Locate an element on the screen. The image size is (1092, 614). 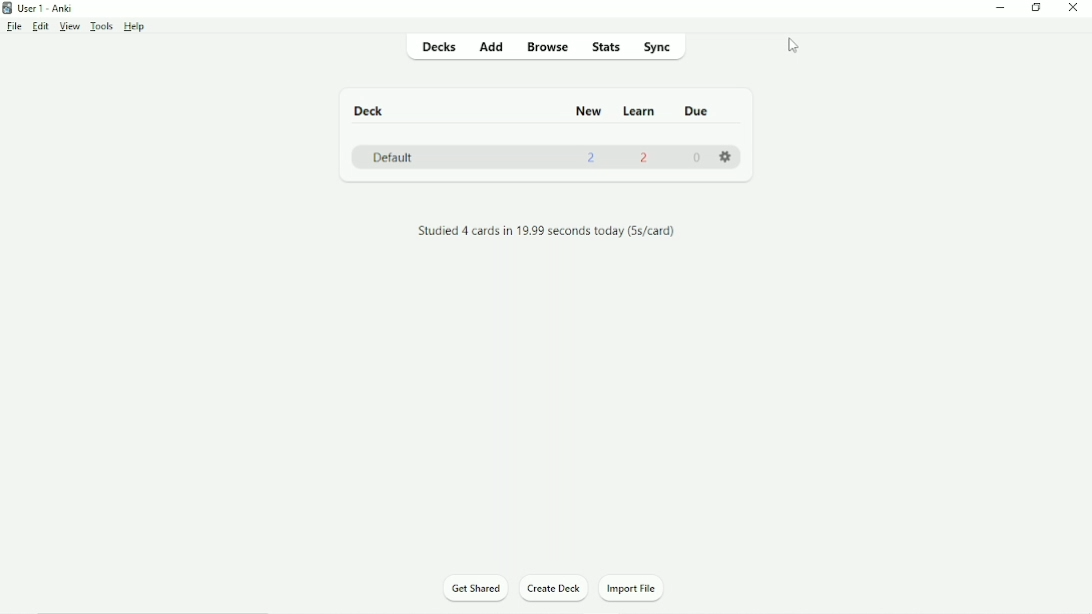
Studied 4 cards in 19.99 seconds today (5s/card) is located at coordinates (548, 231).